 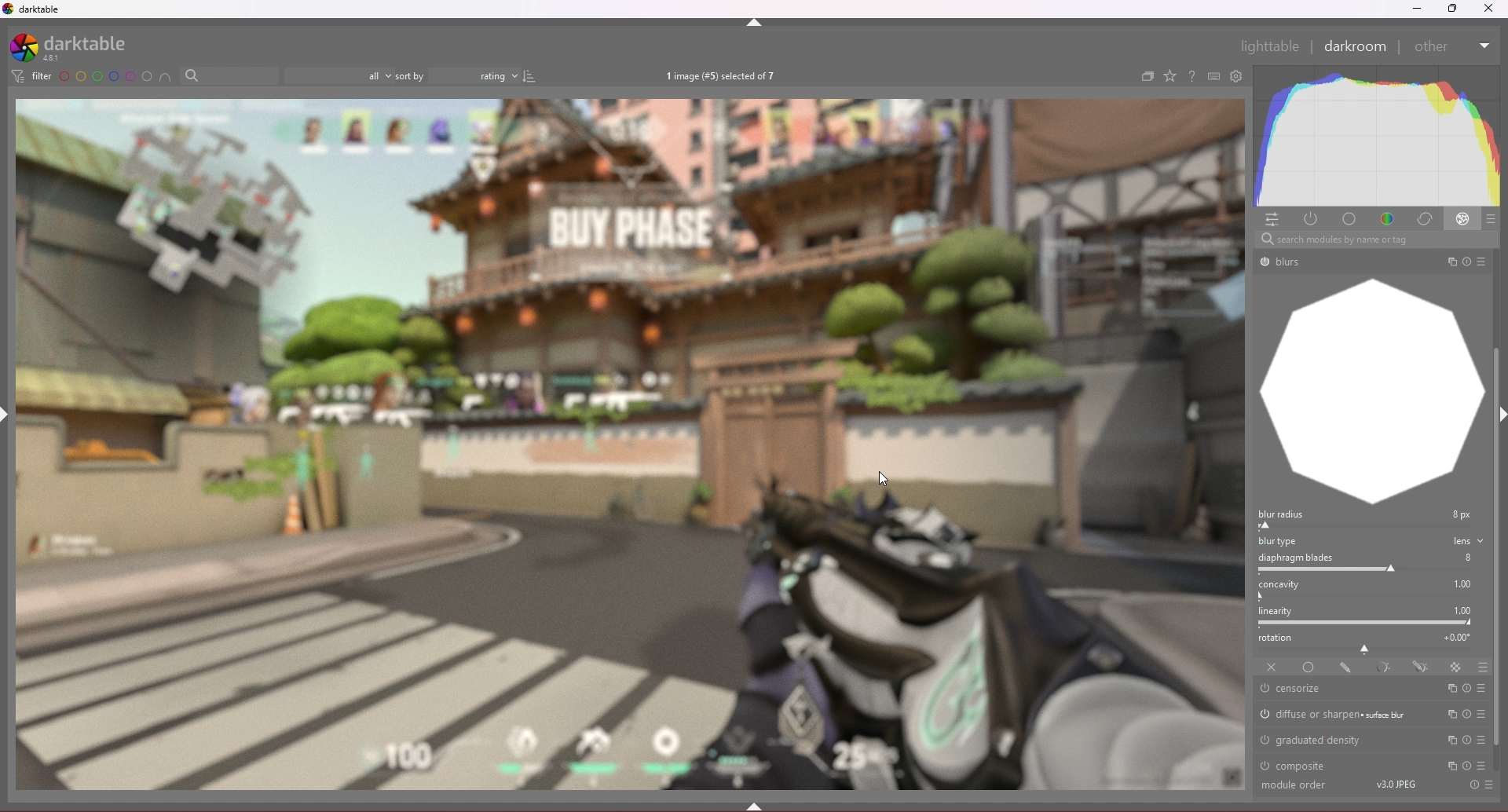 I want to click on reset, so click(x=1466, y=740).